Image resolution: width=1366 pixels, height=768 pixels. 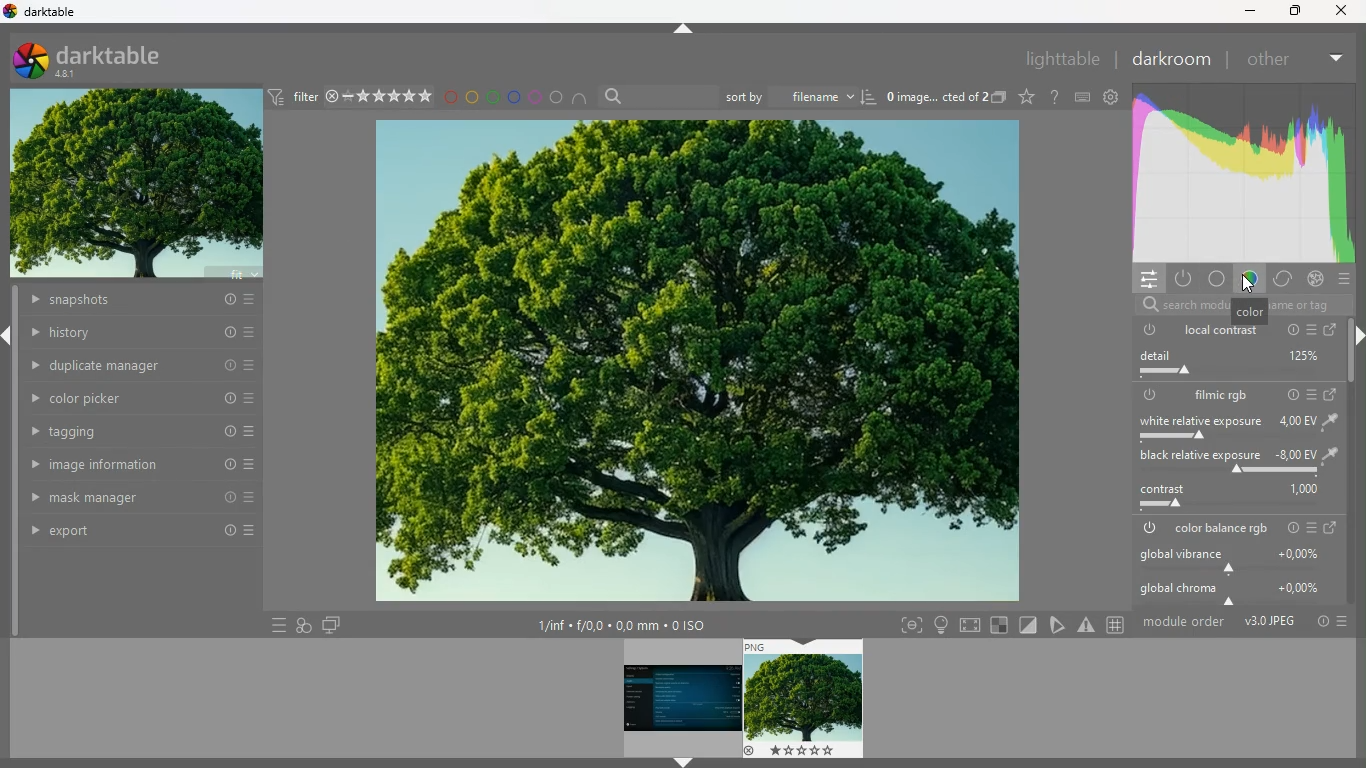 What do you see at coordinates (141, 496) in the screenshot?
I see `mask manager` at bounding box center [141, 496].